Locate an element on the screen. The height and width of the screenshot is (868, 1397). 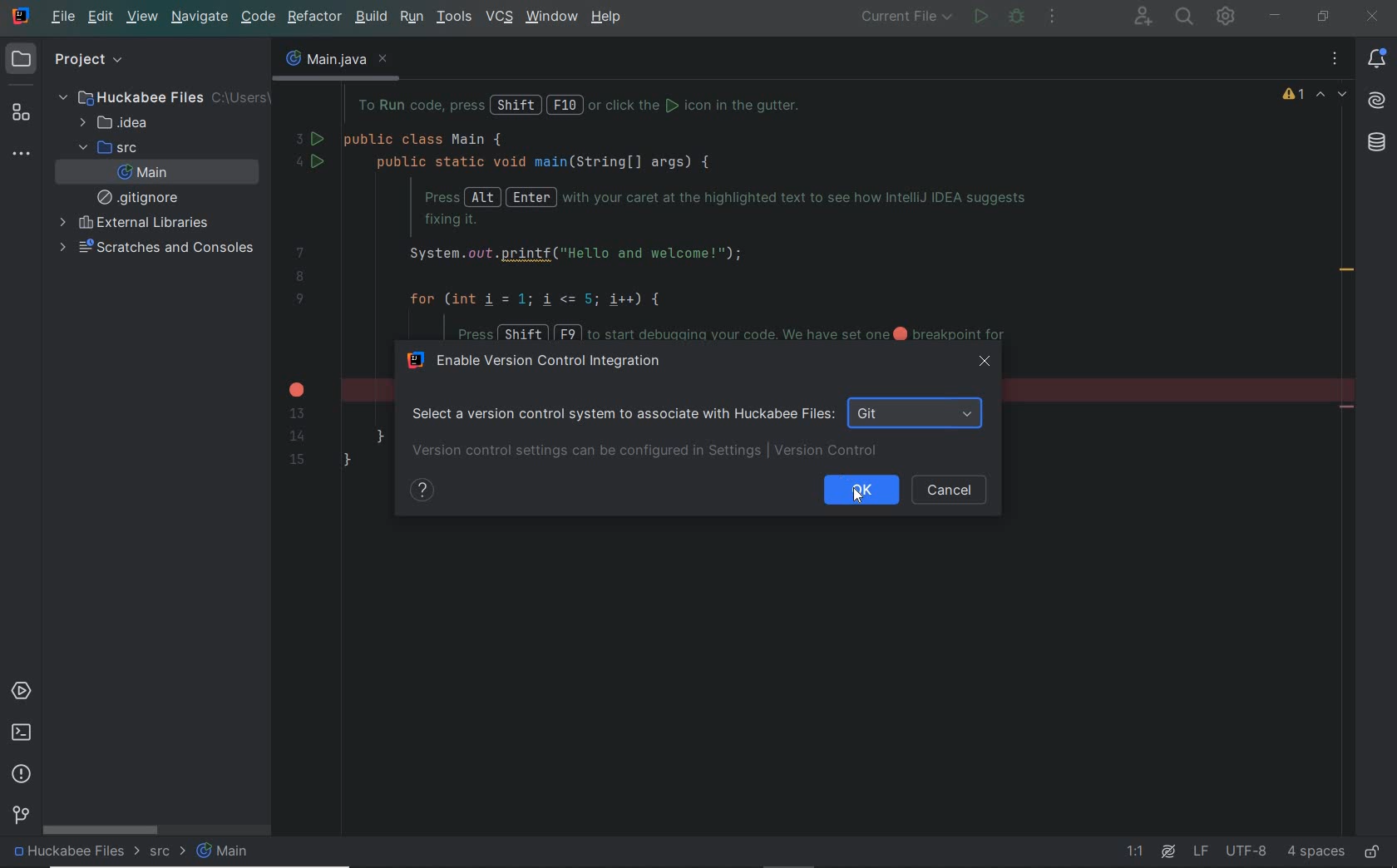
highlighted errors is located at coordinates (1334, 96).